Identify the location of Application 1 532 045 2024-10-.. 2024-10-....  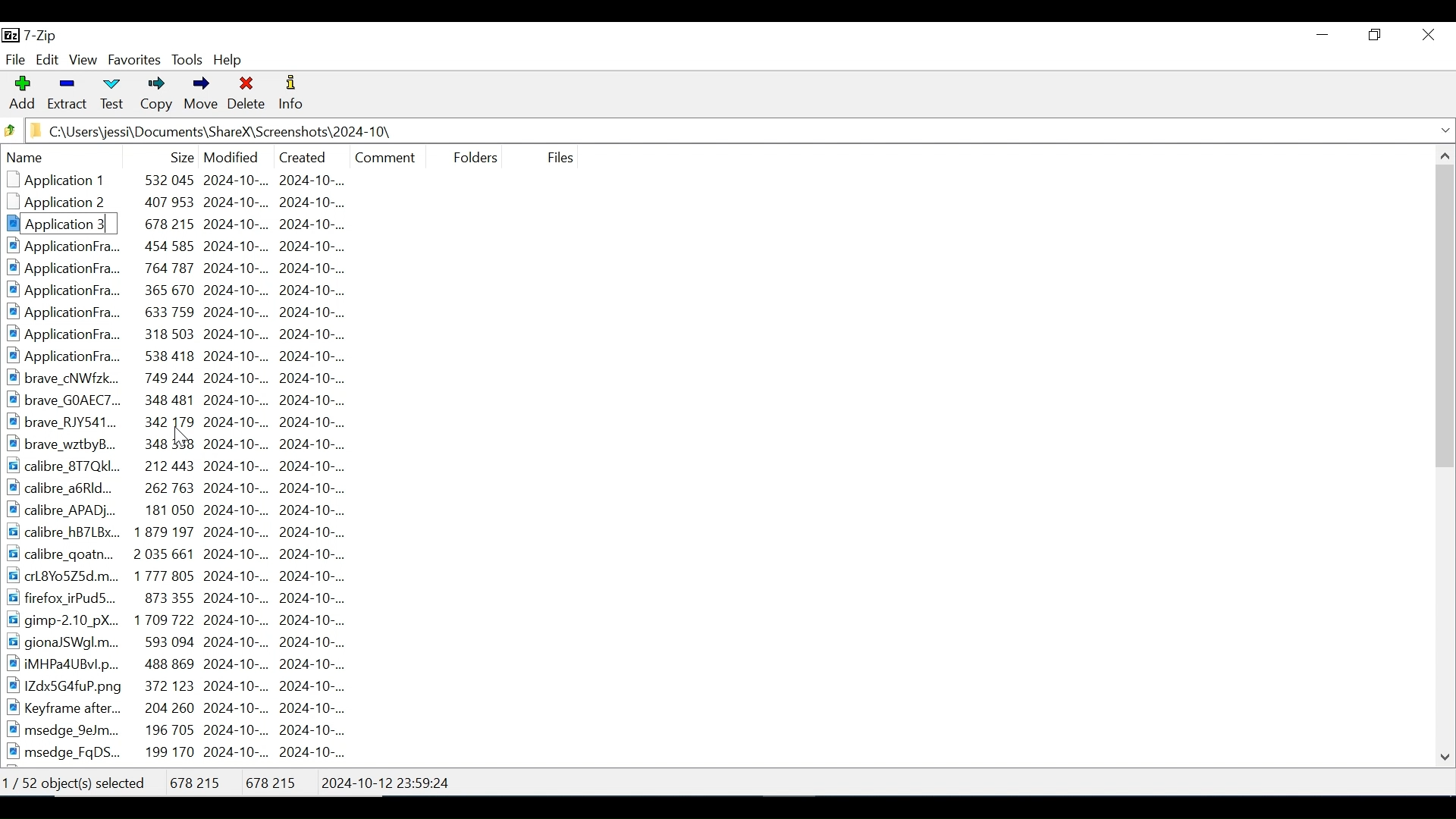
(195, 180).